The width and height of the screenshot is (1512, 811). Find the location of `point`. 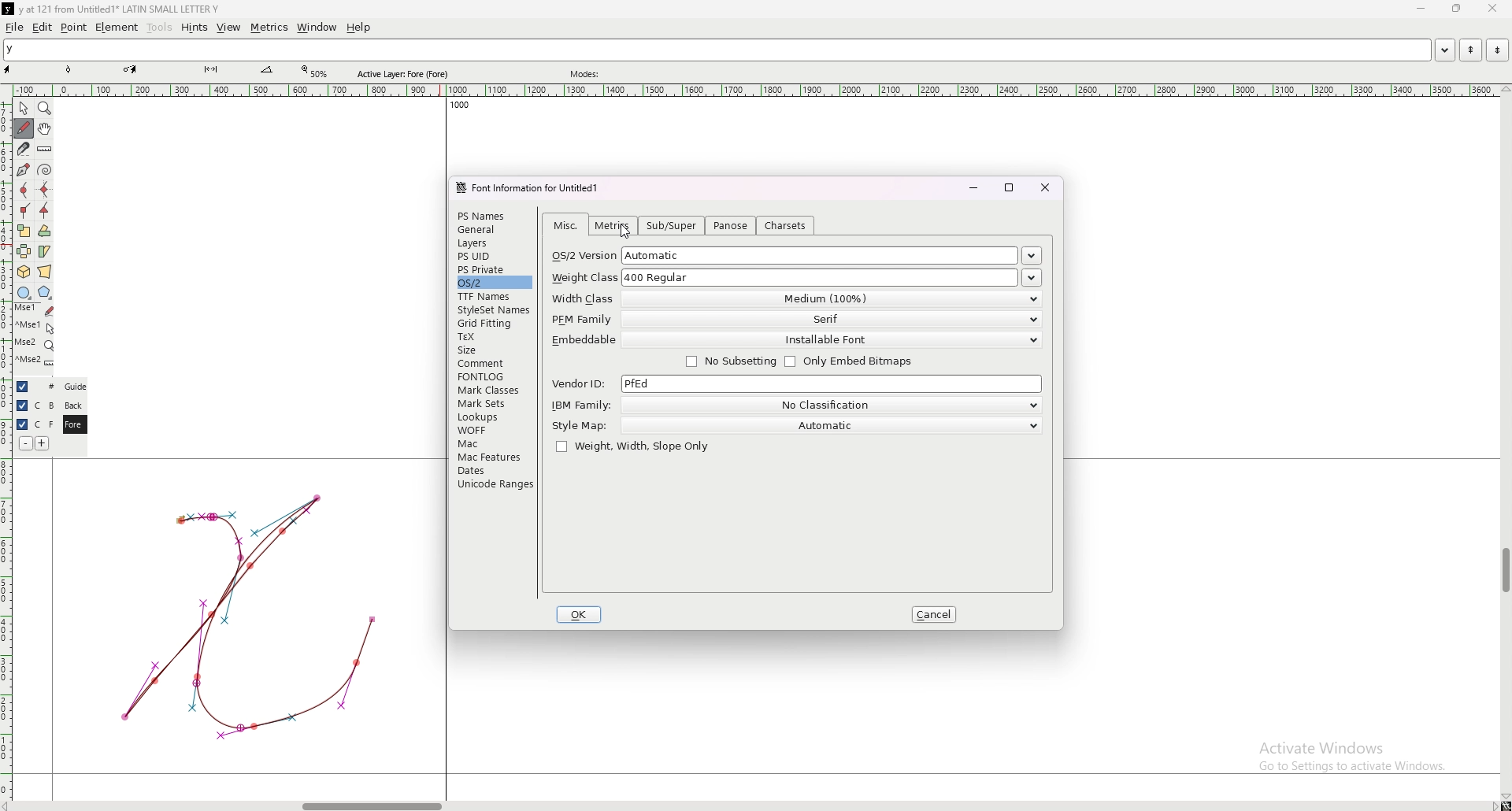

point is located at coordinates (74, 27).